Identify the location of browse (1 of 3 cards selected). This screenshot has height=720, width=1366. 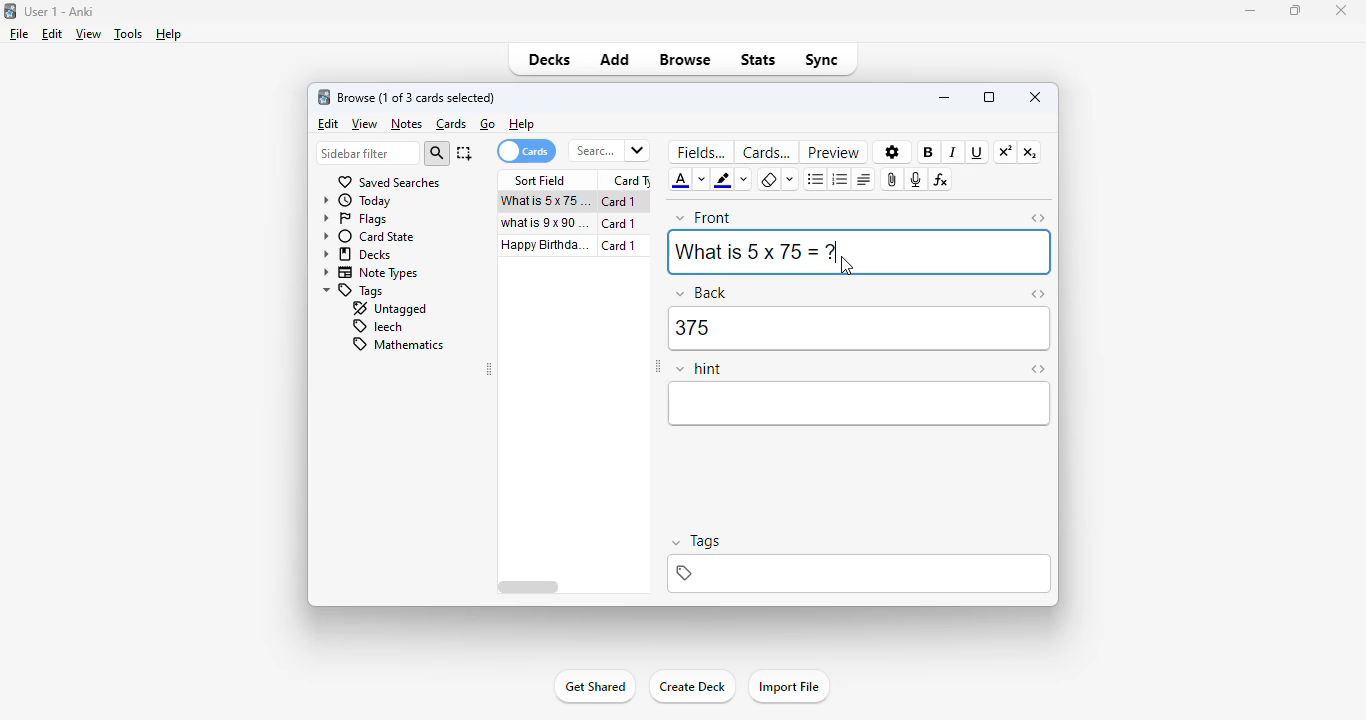
(417, 97).